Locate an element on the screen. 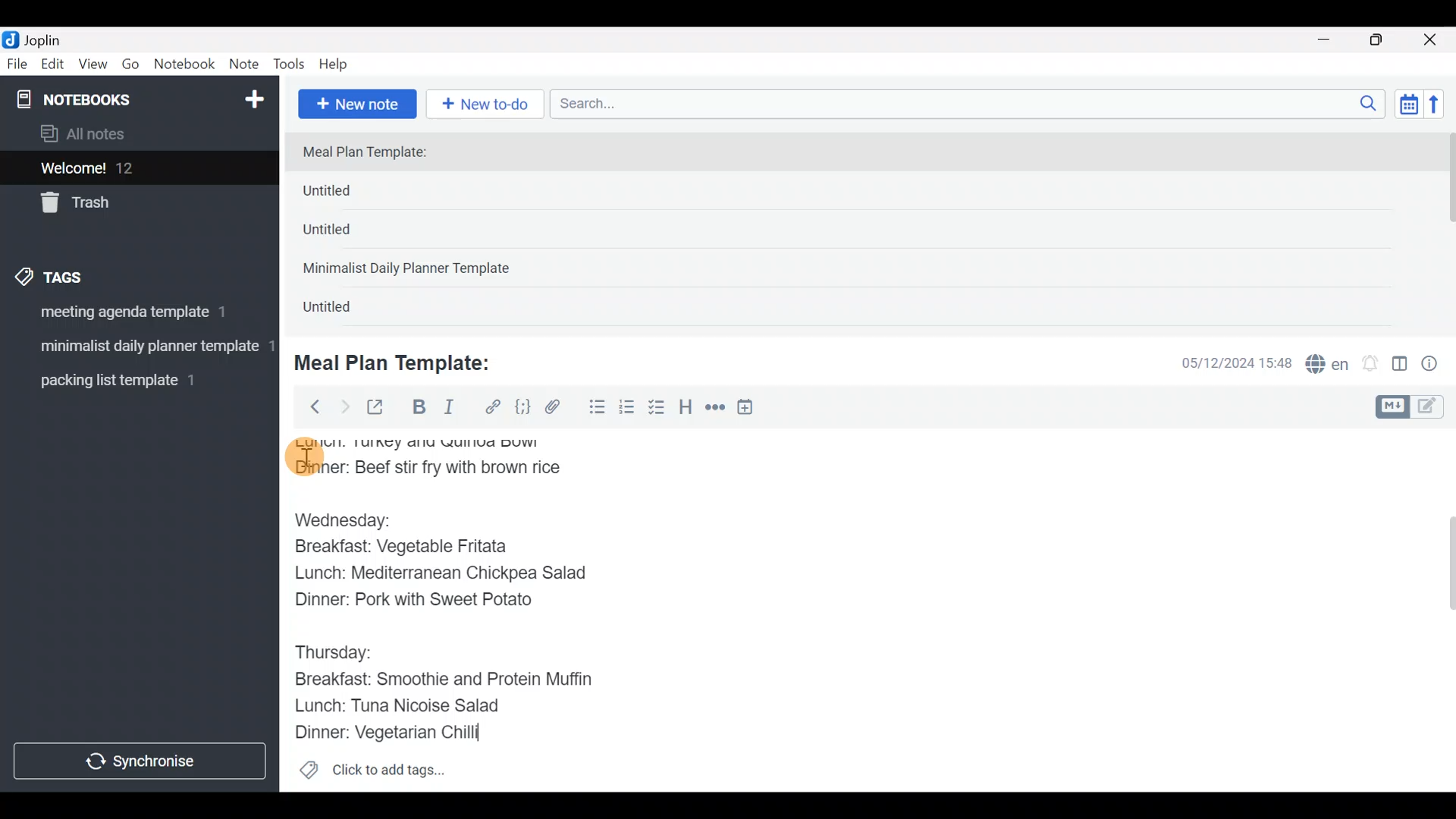  Toggle sort order is located at coordinates (1408, 105).